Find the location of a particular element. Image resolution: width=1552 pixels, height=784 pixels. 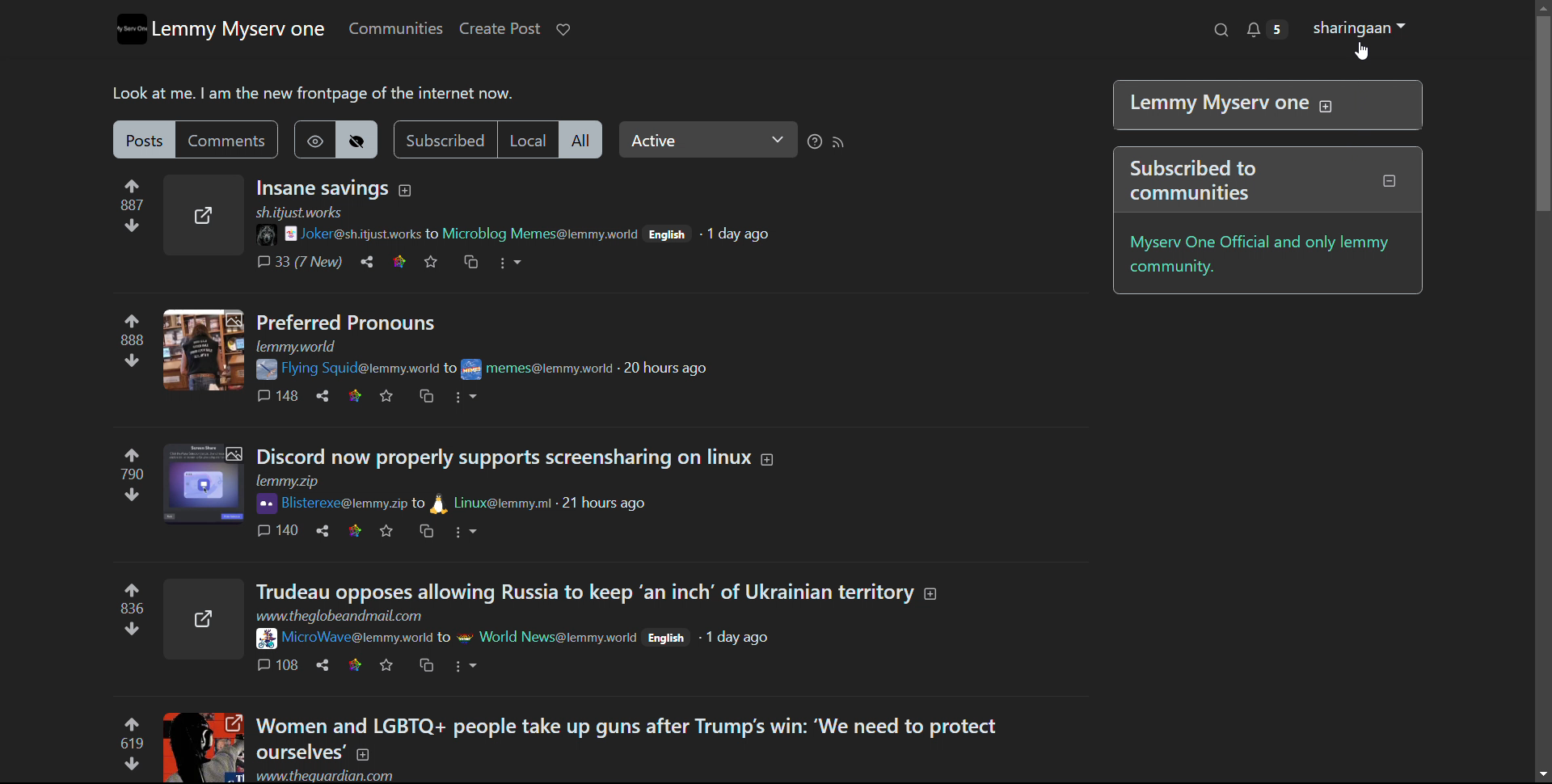

upvote and downvotes is located at coordinates (130, 743).